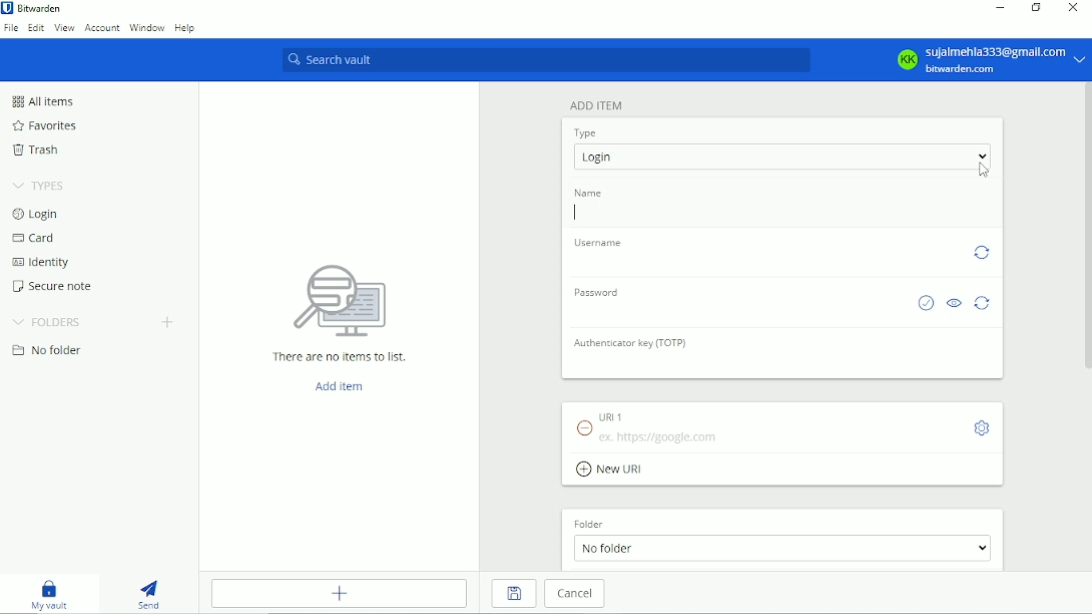 The height and width of the screenshot is (614, 1092). I want to click on Create folder, so click(167, 321).